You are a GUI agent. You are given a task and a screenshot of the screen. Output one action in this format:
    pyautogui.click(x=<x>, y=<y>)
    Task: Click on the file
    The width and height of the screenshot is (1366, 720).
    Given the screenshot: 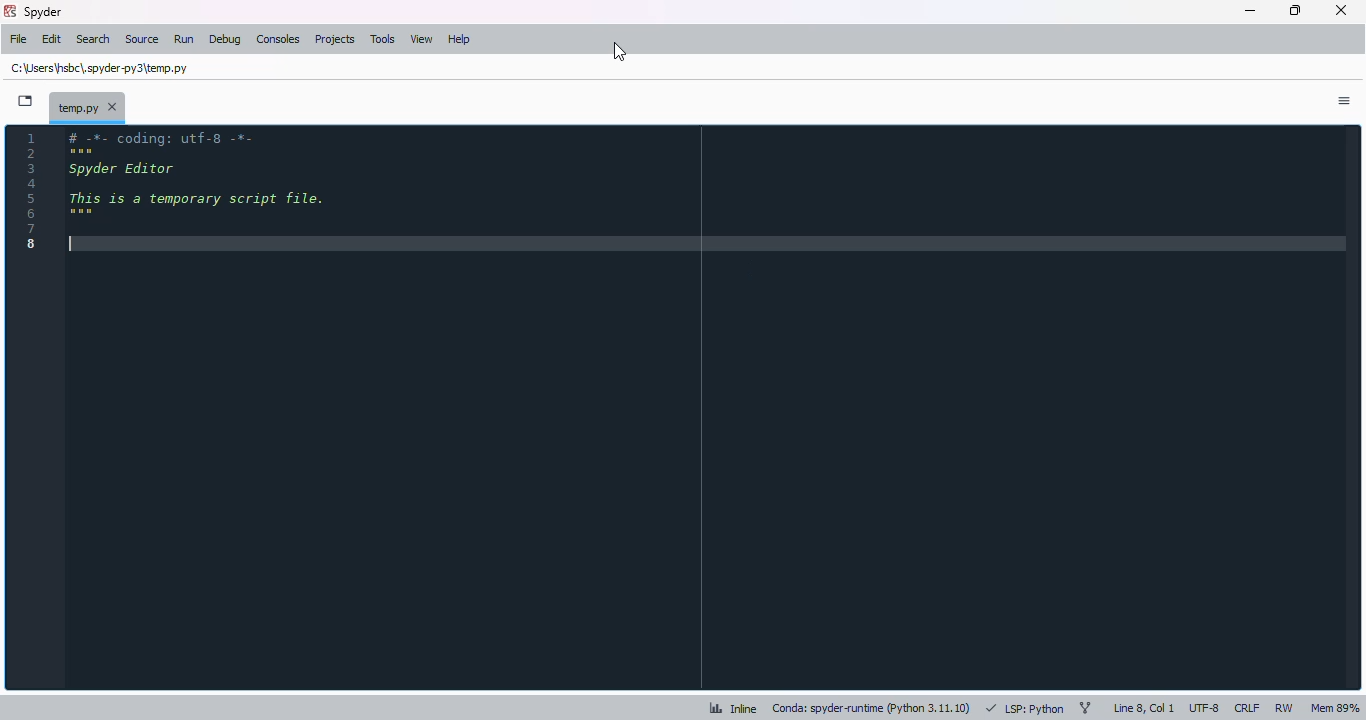 What is the action you would take?
    pyautogui.click(x=19, y=39)
    